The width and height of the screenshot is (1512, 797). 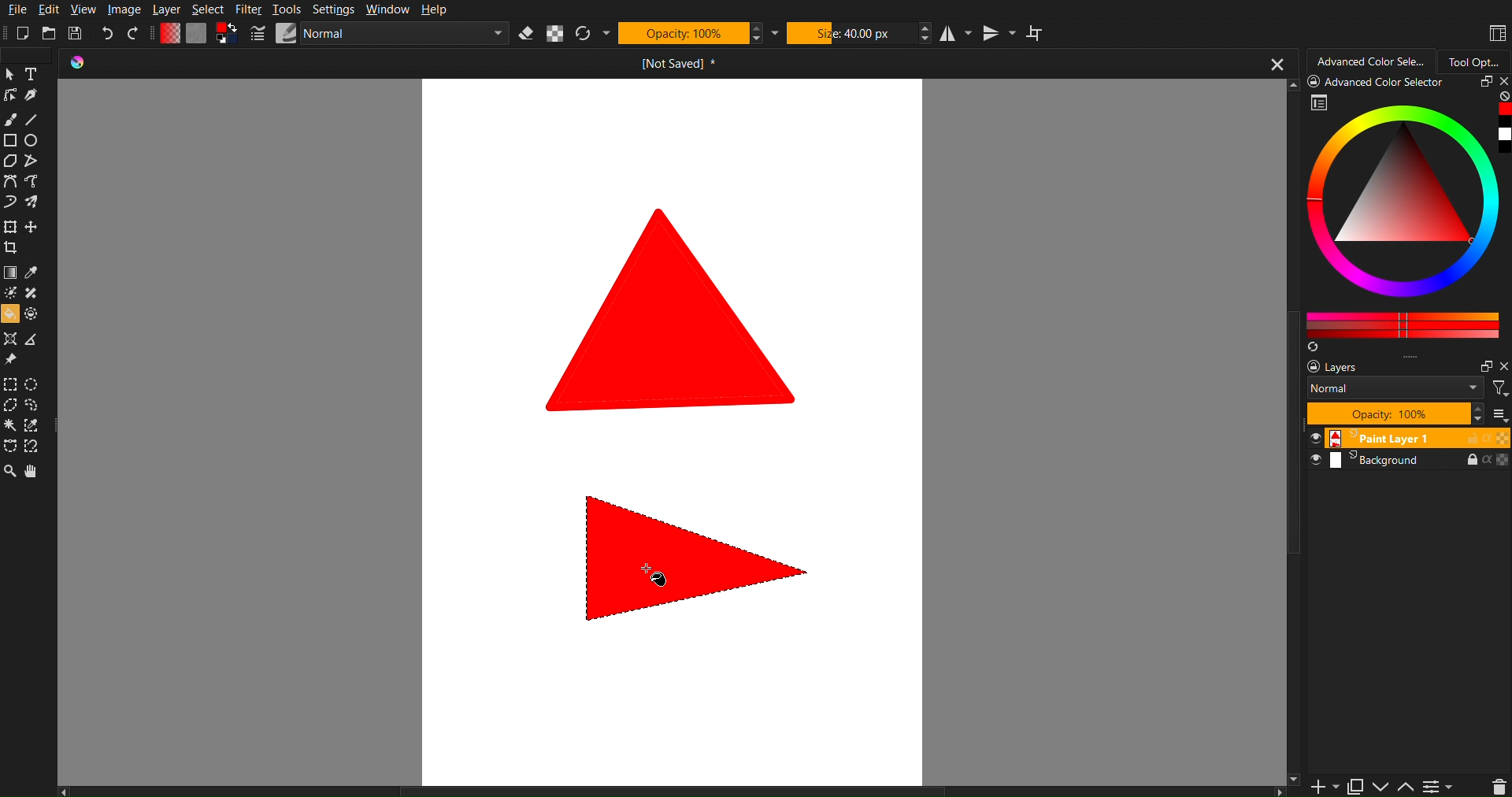 What do you see at coordinates (675, 790) in the screenshot?
I see `Horizontal Scrollbar` at bounding box center [675, 790].